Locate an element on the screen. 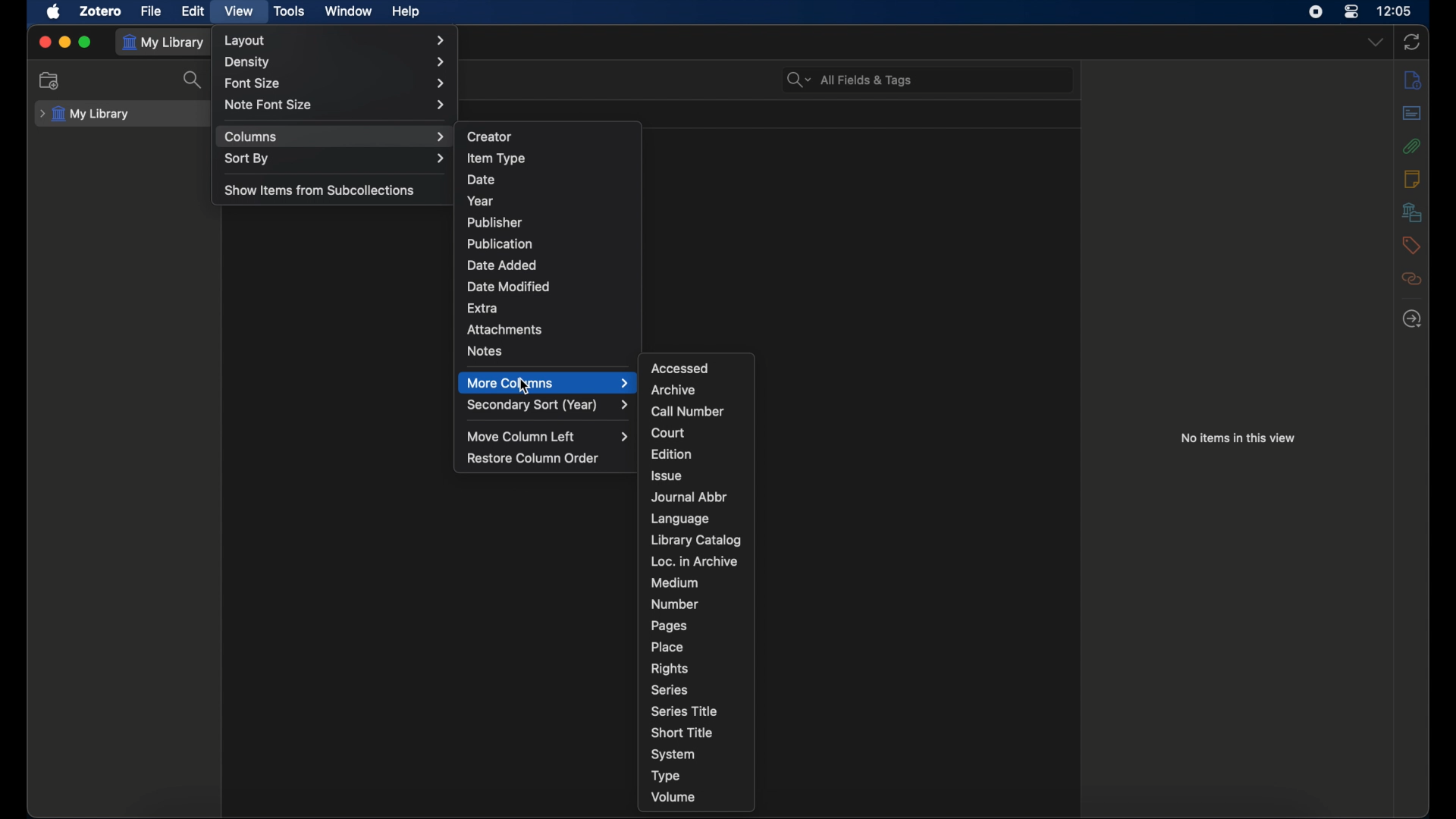  maximize is located at coordinates (86, 42).